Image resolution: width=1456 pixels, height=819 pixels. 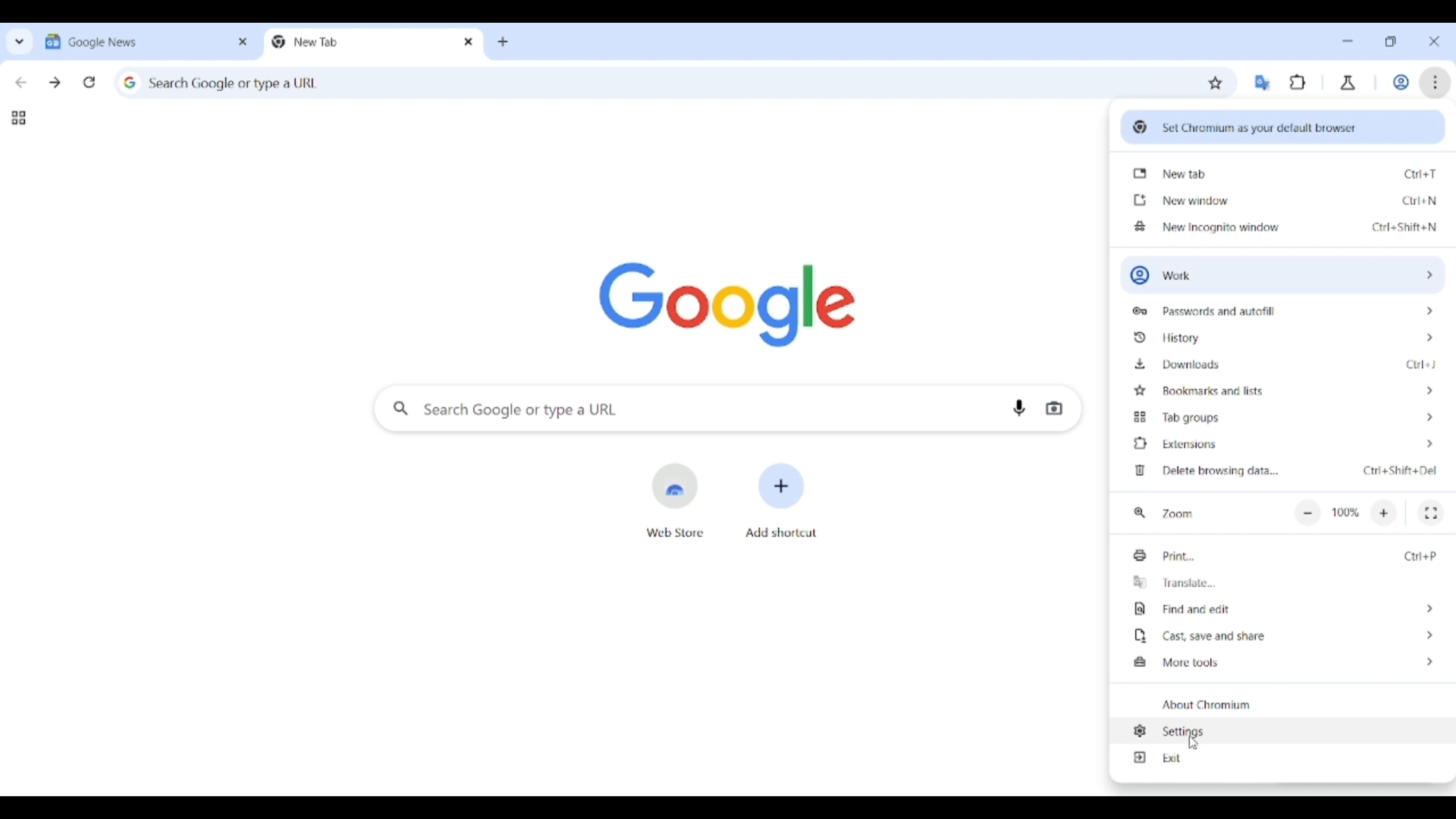 I want to click on Work options, so click(x=1280, y=275).